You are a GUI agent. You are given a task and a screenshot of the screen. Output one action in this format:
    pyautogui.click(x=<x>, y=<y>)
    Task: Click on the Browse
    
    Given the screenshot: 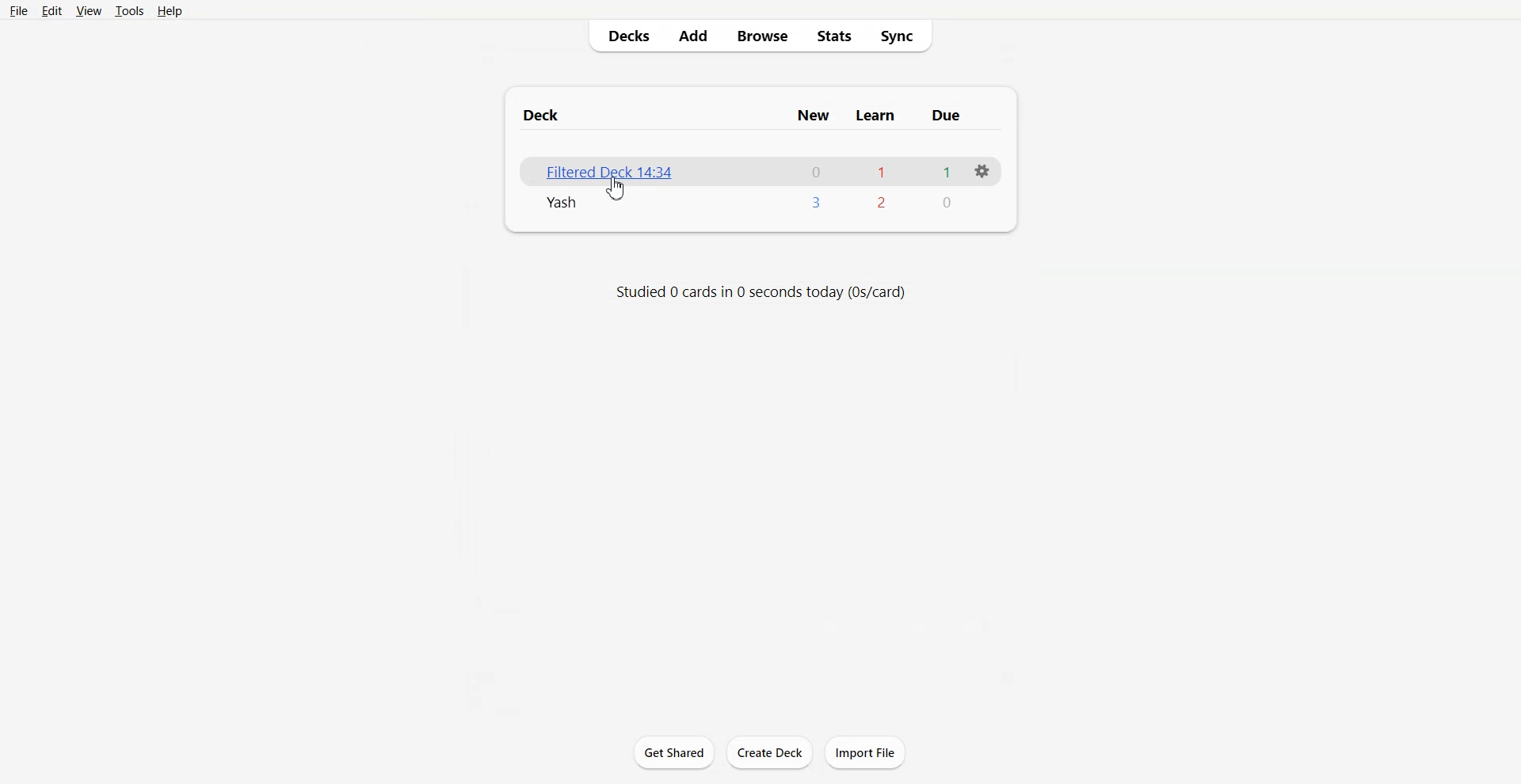 What is the action you would take?
    pyautogui.click(x=762, y=36)
    